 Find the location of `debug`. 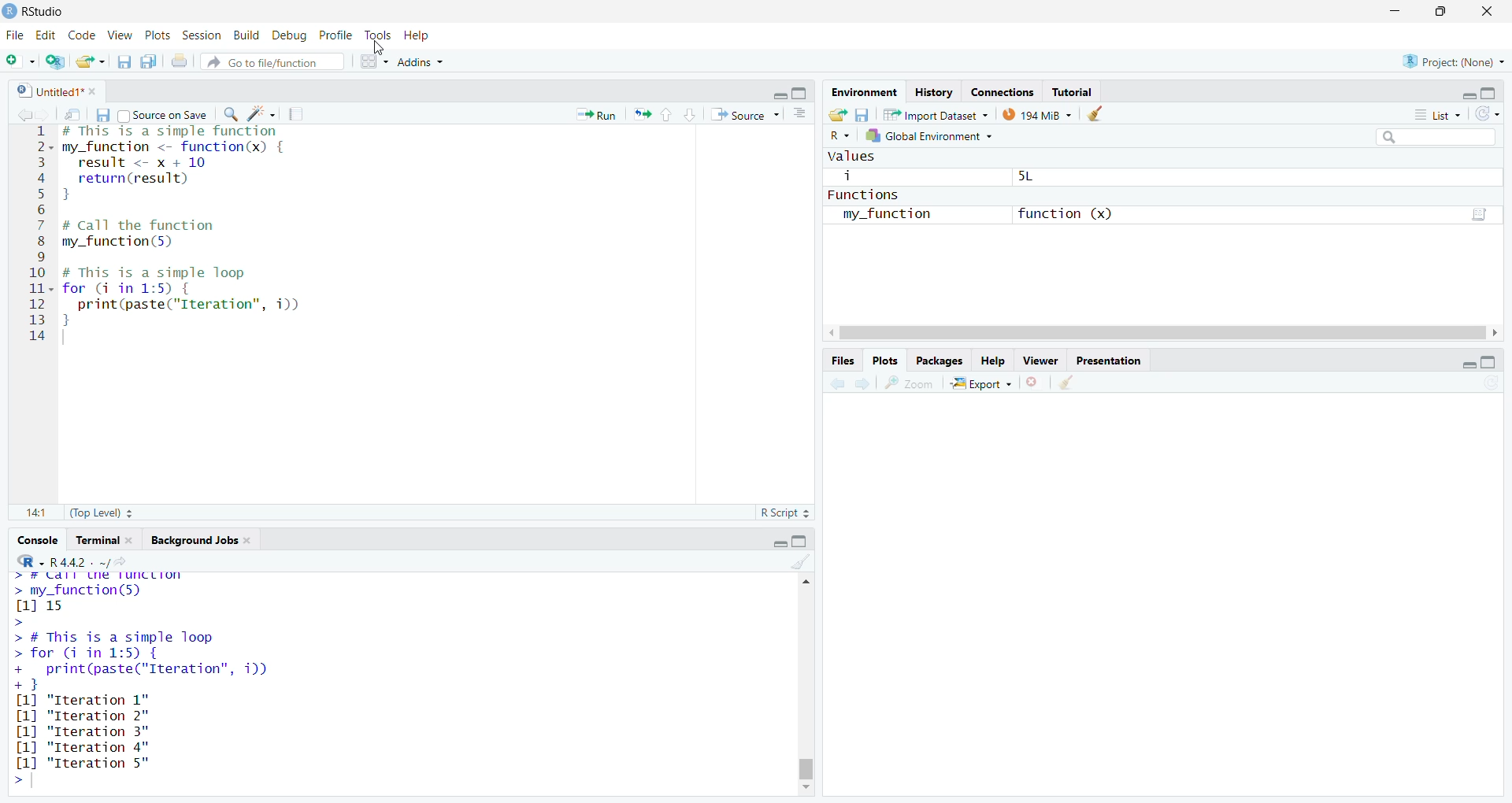

debug is located at coordinates (290, 33).